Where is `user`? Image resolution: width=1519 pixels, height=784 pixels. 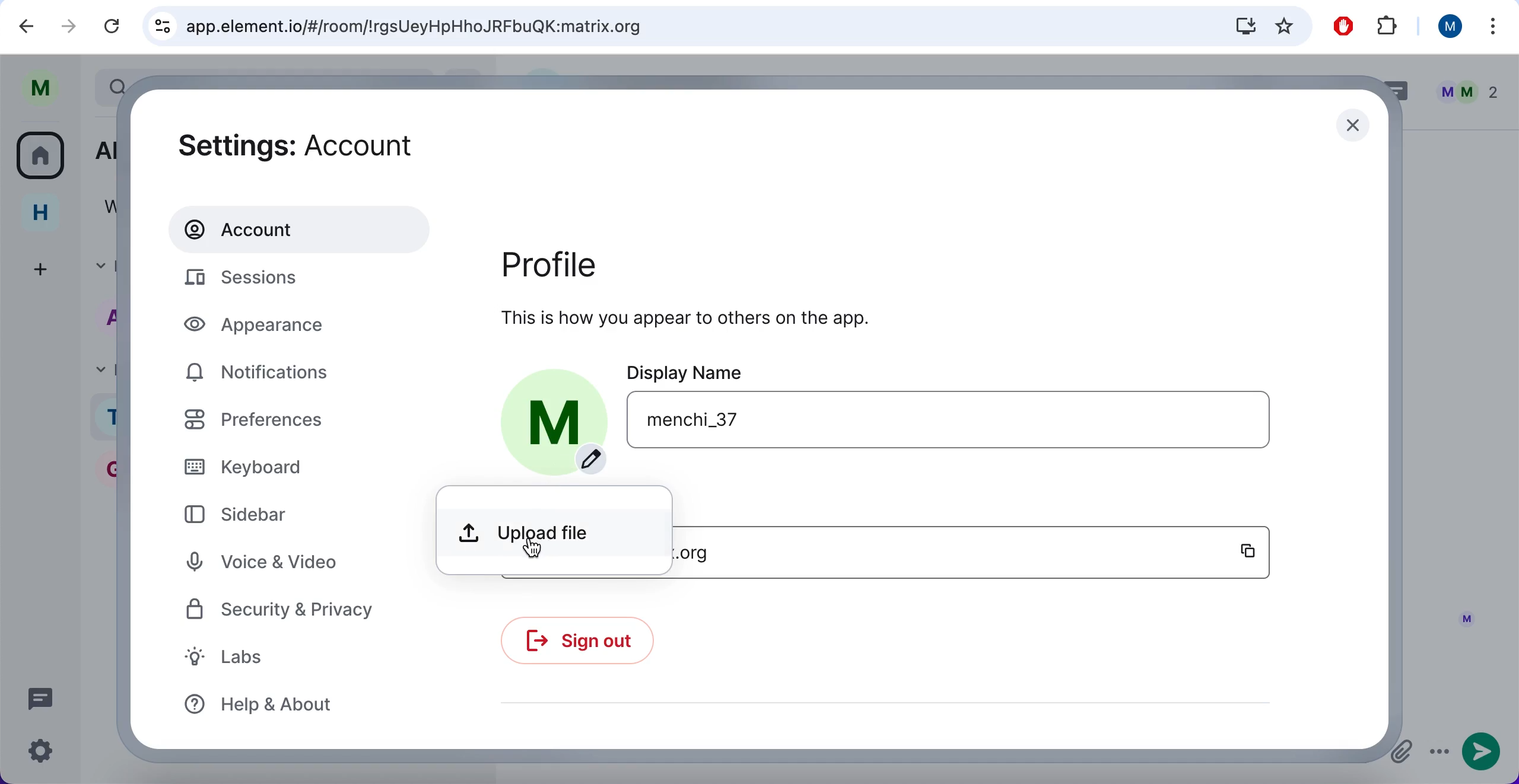 user is located at coordinates (40, 85).